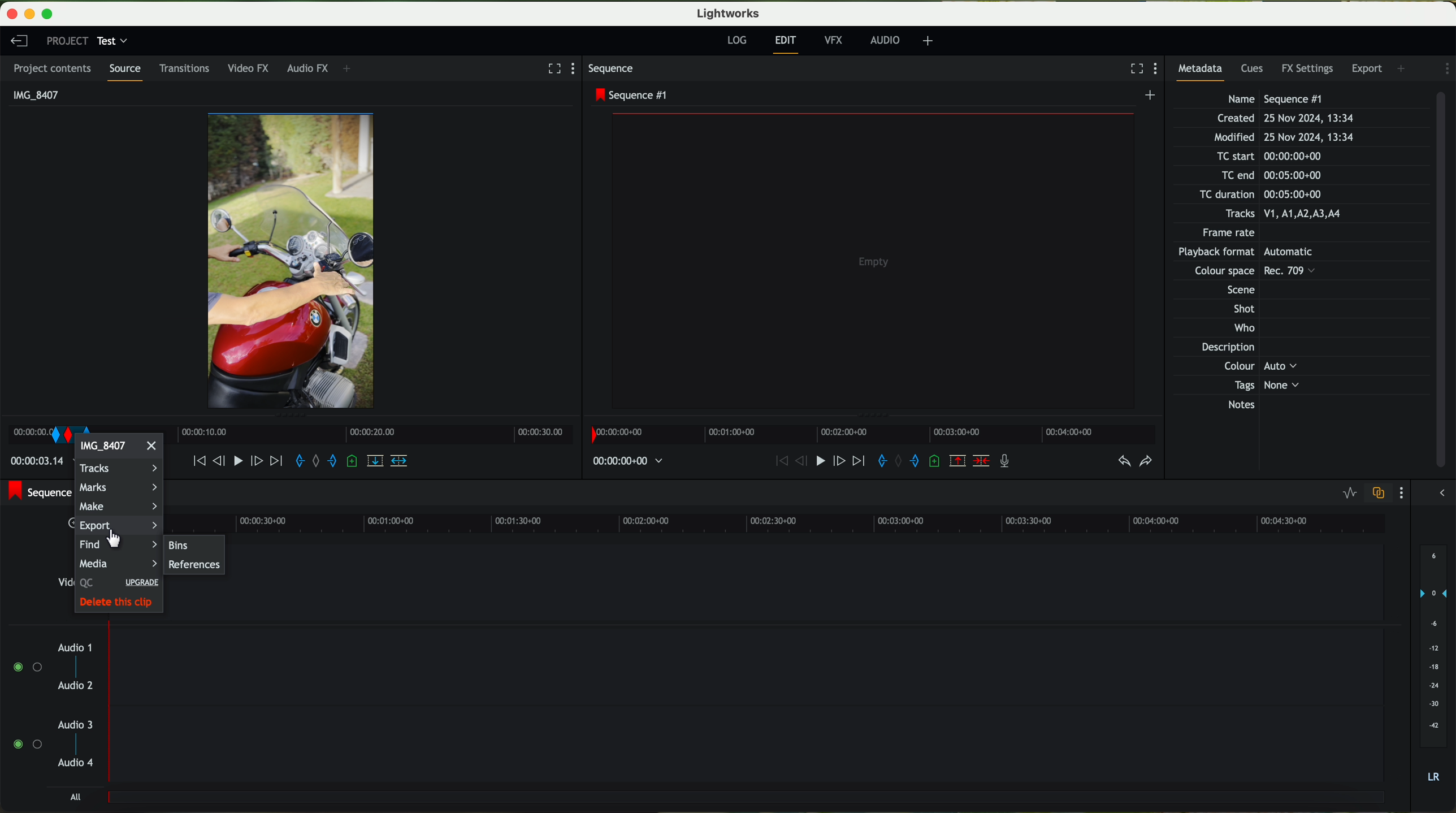 The width and height of the screenshot is (1456, 813). What do you see at coordinates (76, 687) in the screenshot?
I see `audio 2` at bounding box center [76, 687].